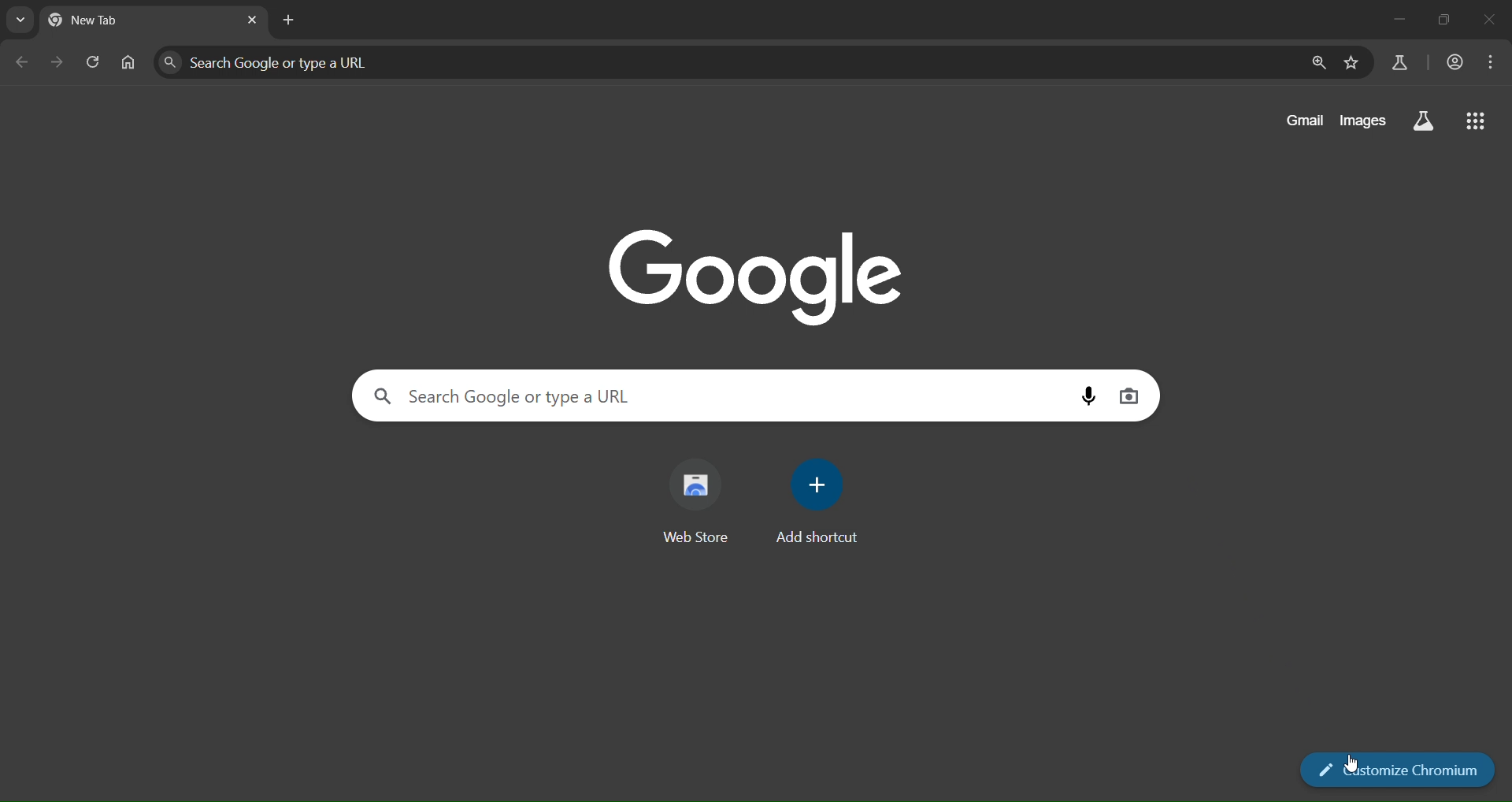 This screenshot has height=802, width=1512. What do you see at coordinates (1491, 22) in the screenshot?
I see `close` at bounding box center [1491, 22].